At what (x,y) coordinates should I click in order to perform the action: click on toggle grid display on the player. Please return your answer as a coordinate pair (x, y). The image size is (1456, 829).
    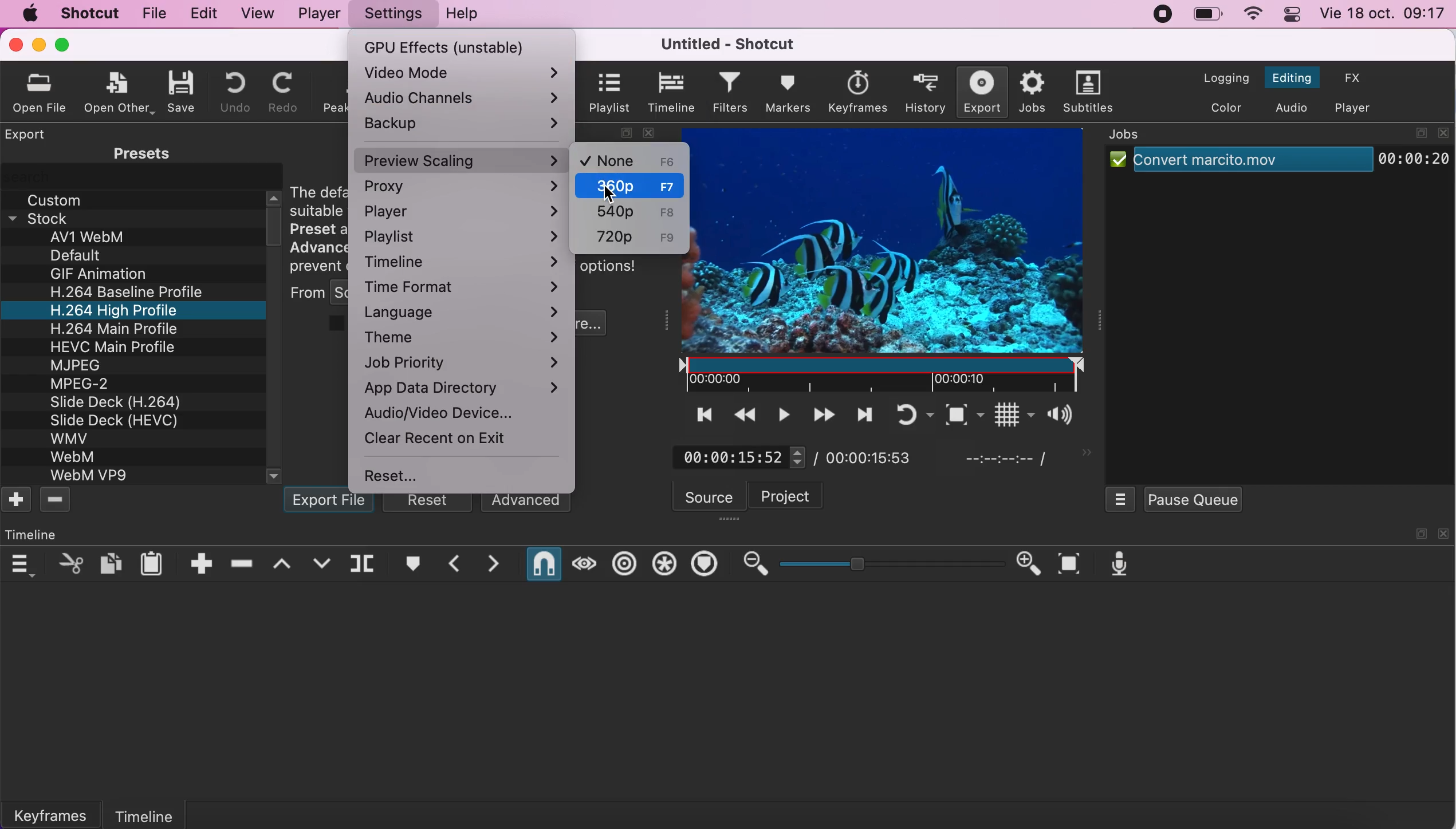
    Looking at the image, I should click on (997, 416).